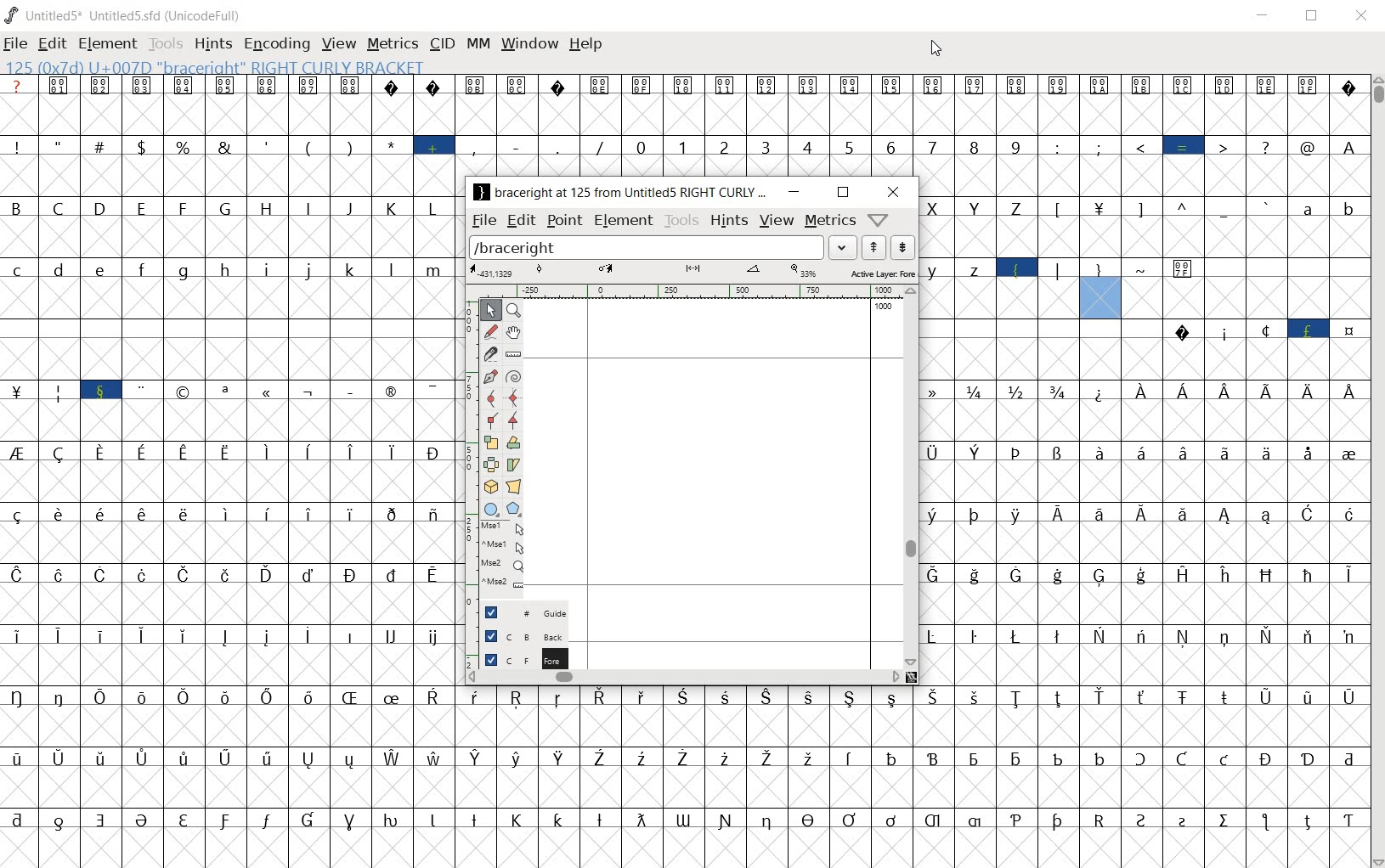 This screenshot has width=1385, height=868. Describe the element at coordinates (489, 353) in the screenshot. I see `cut splines in two` at that location.